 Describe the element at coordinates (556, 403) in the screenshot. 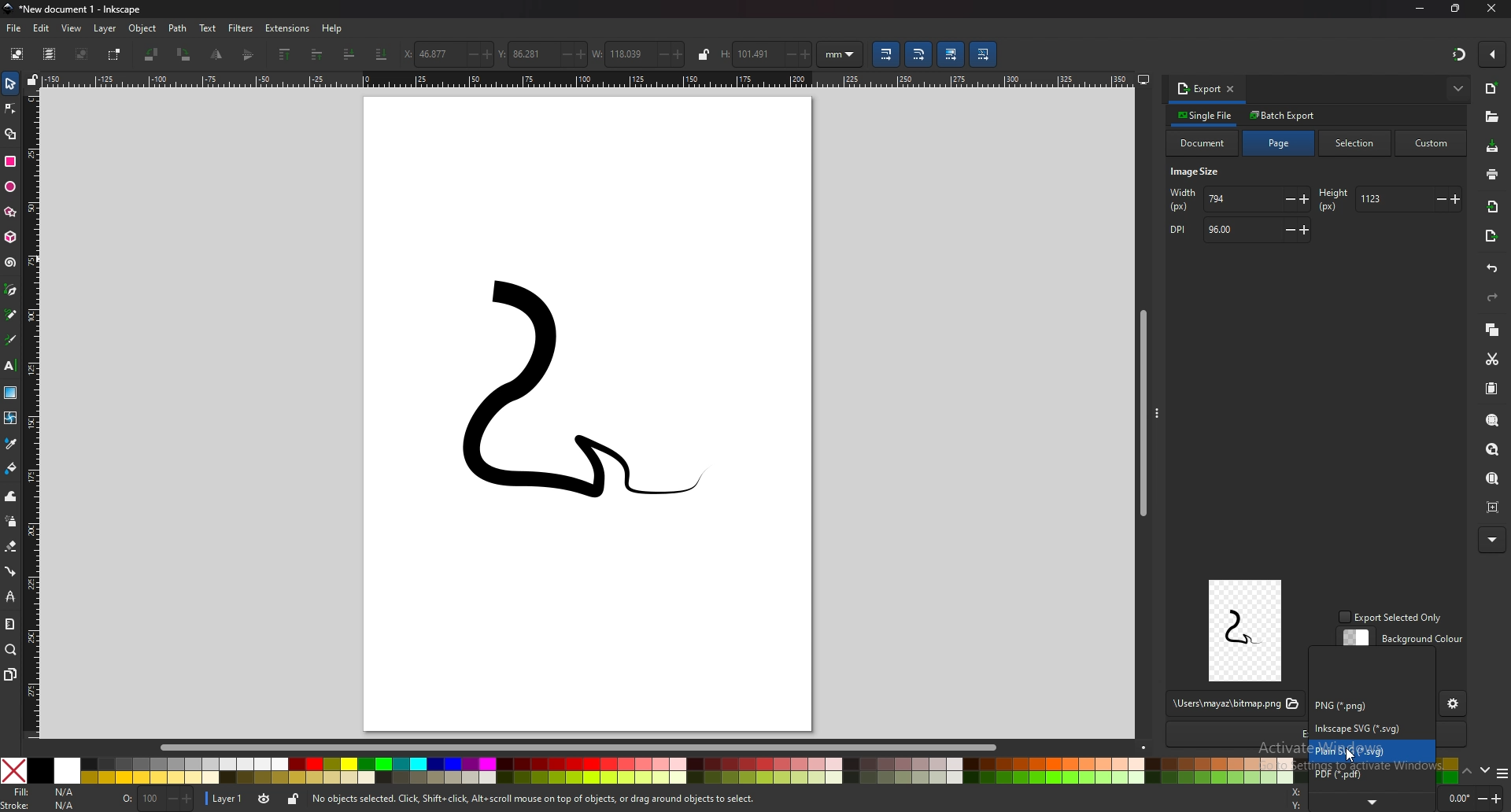

I see `drawing` at that location.